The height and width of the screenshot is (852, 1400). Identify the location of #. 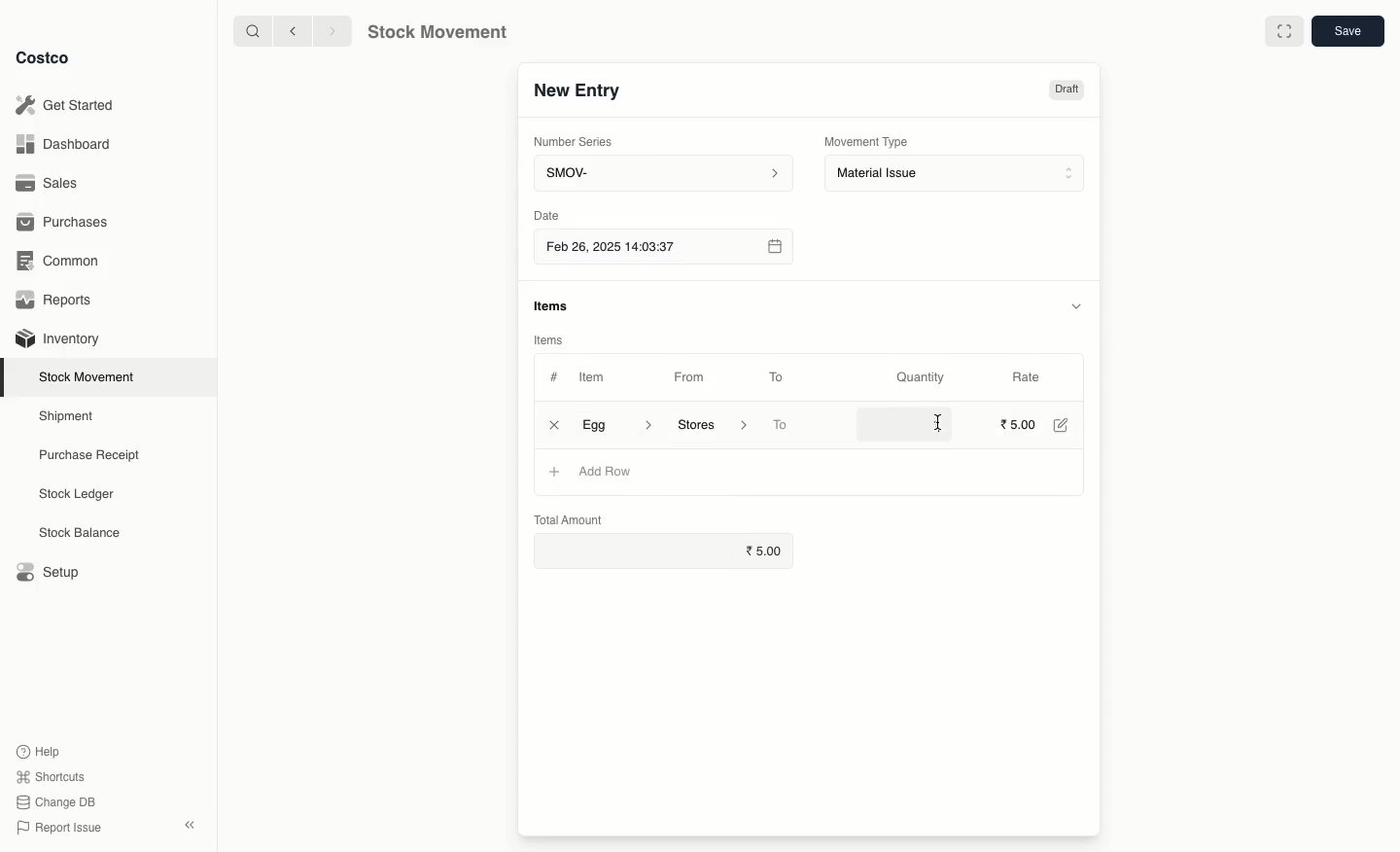
(554, 377).